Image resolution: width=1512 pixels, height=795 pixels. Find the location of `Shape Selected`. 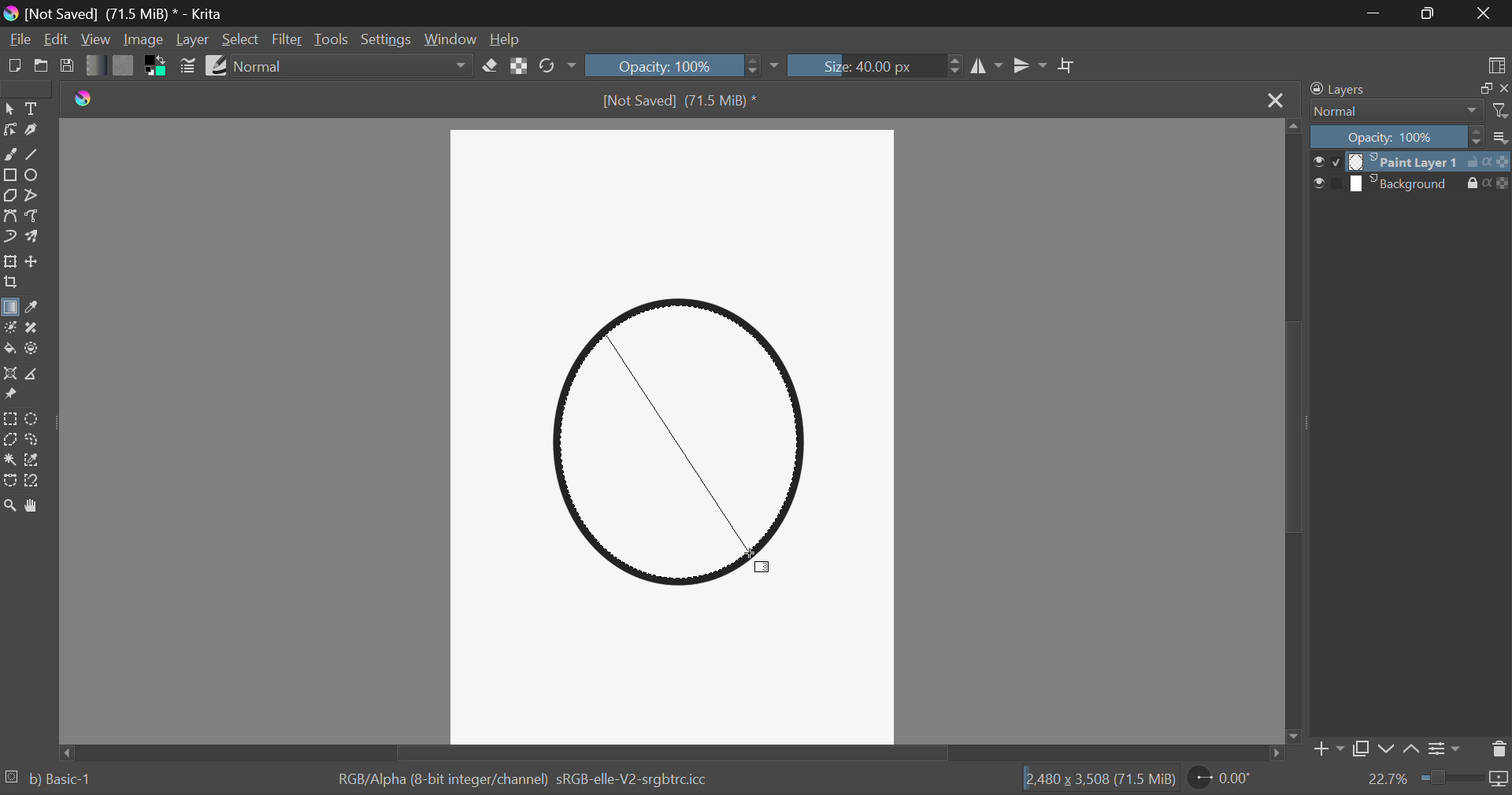

Shape Selected is located at coordinates (685, 449).